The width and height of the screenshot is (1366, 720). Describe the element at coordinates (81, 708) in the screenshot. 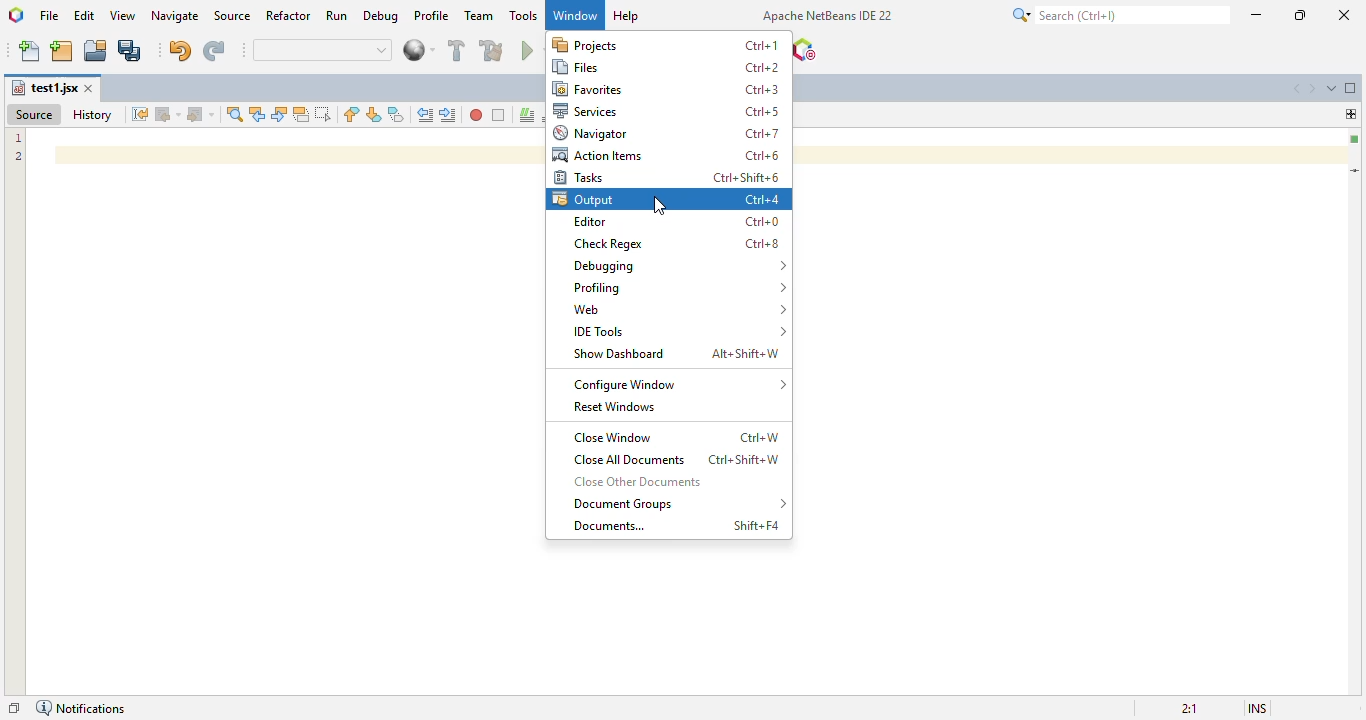

I see `notifications` at that location.